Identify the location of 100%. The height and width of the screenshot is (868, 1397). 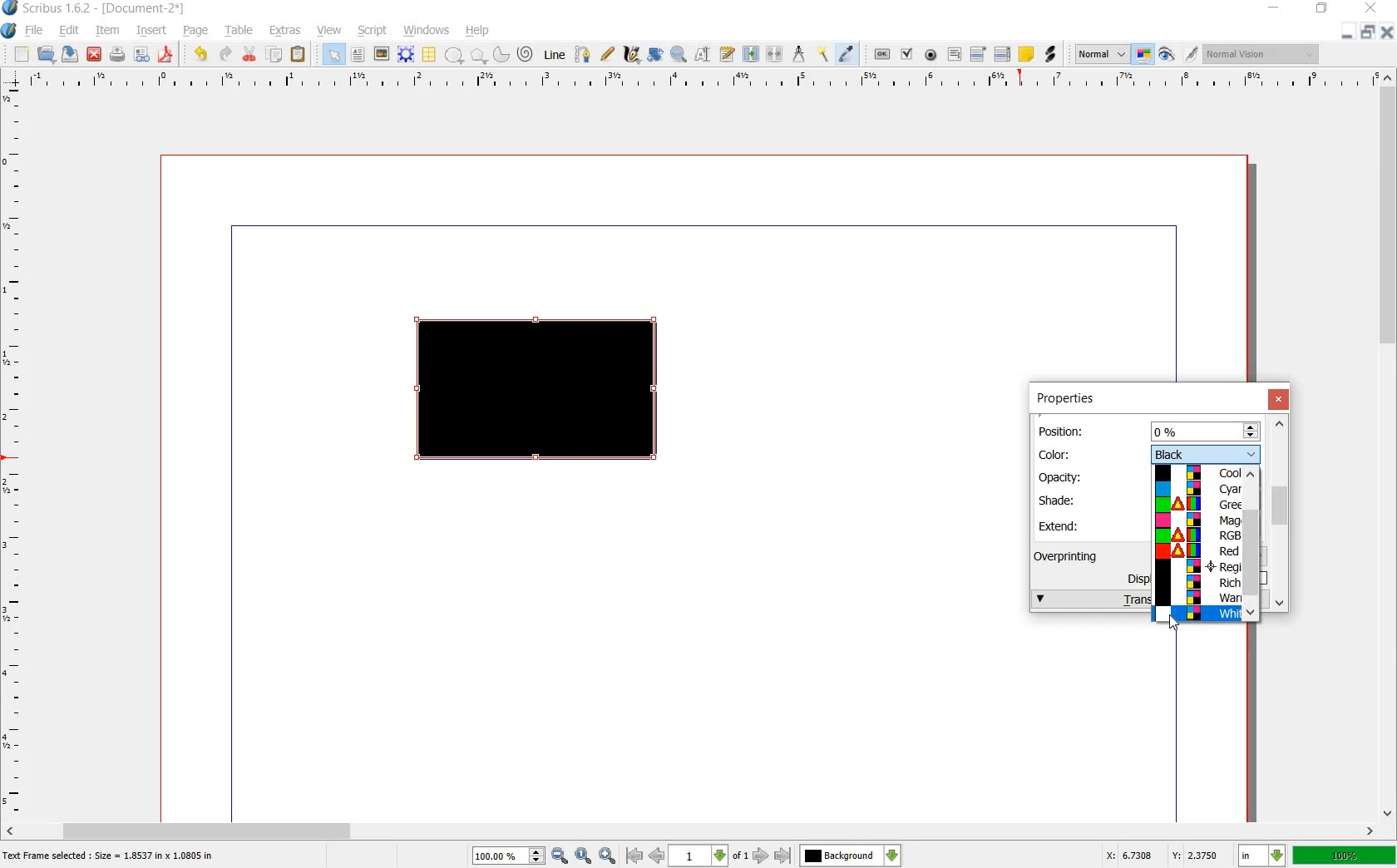
(500, 856).